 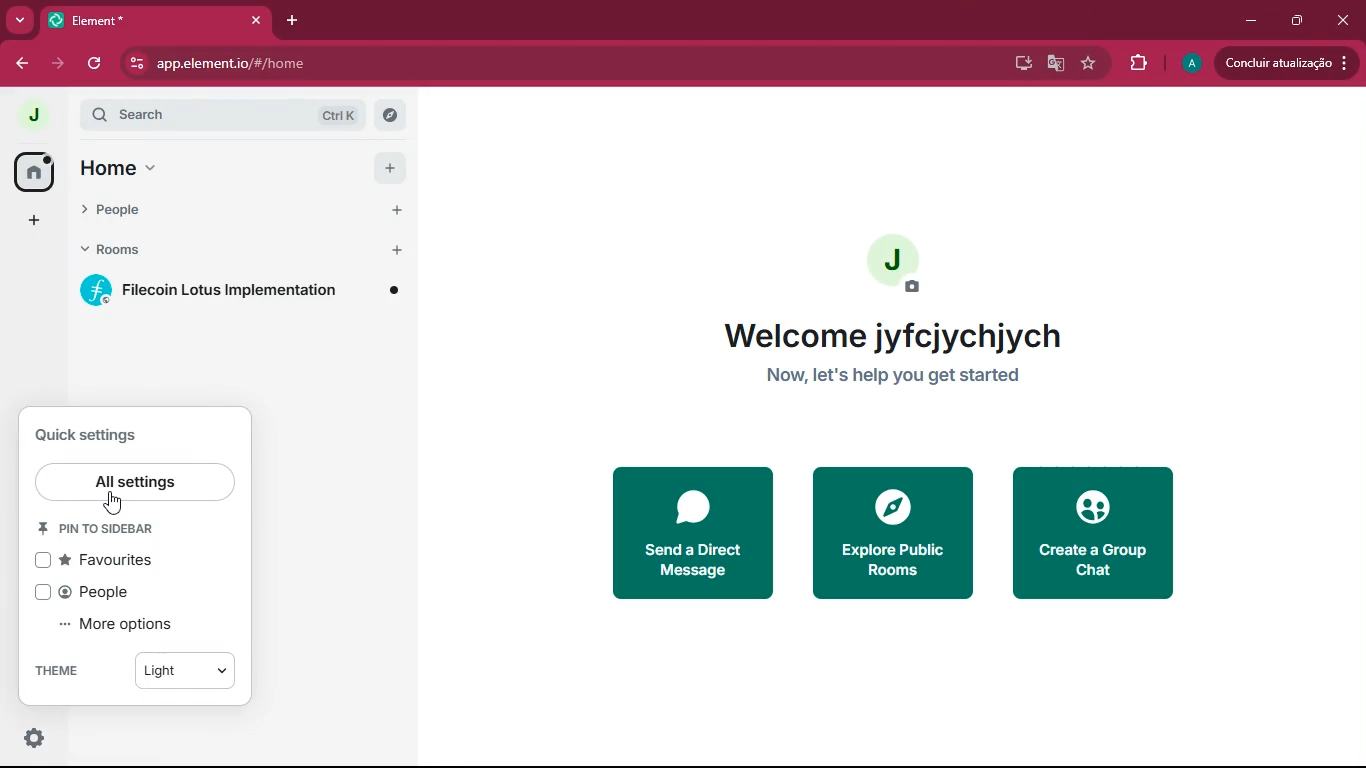 I want to click on home, so click(x=33, y=171).